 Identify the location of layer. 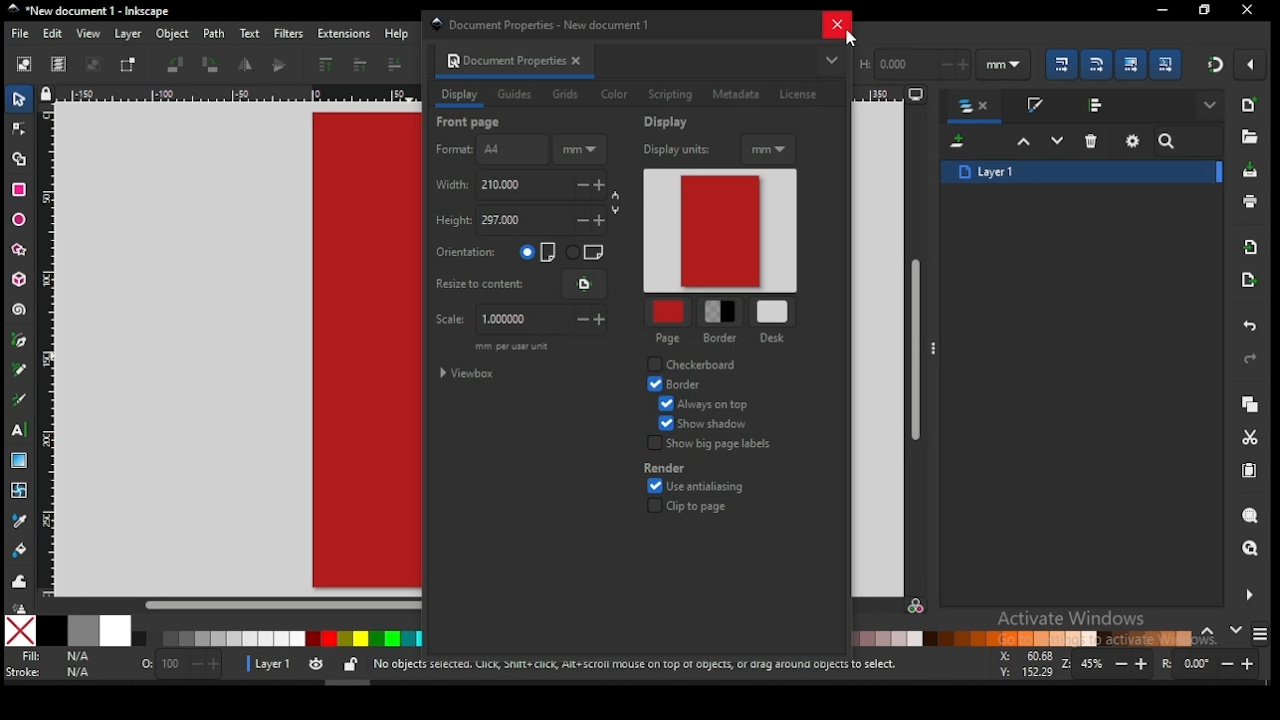
(128, 34).